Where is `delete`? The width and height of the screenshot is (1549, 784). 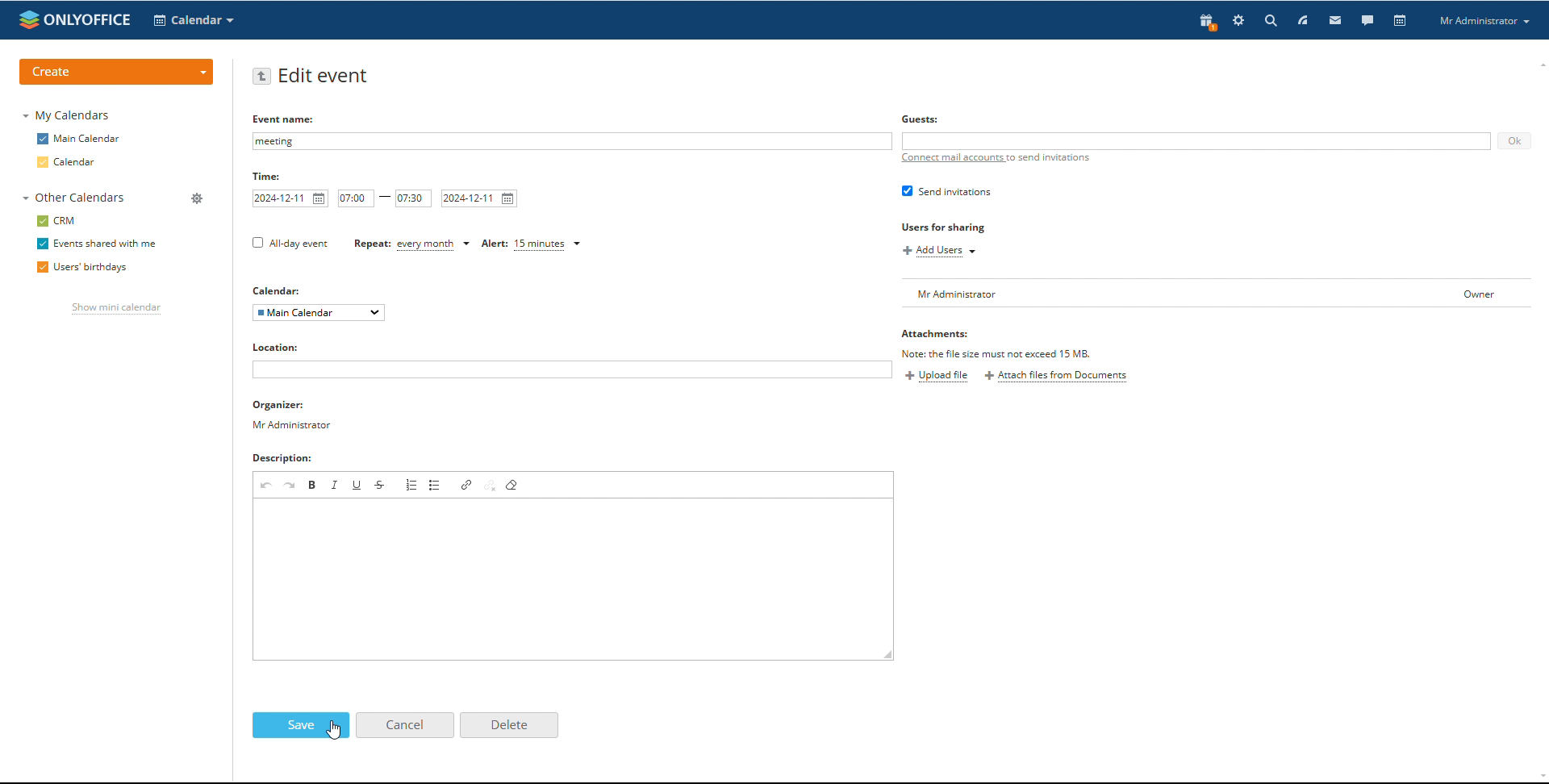
delete is located at coordinates (508, 724).